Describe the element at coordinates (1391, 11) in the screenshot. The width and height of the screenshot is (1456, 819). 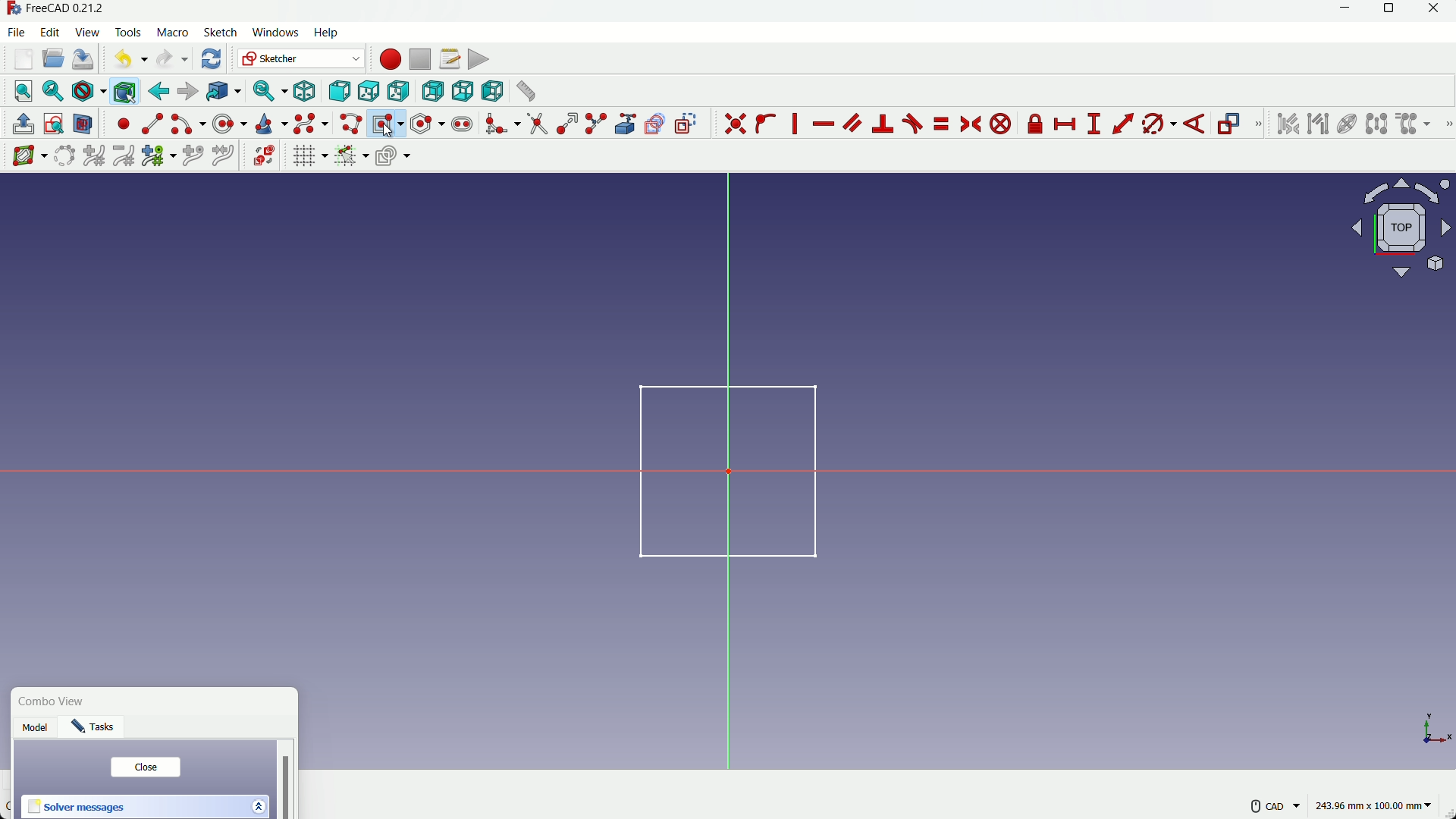
I see `maximize or restore` at that location.